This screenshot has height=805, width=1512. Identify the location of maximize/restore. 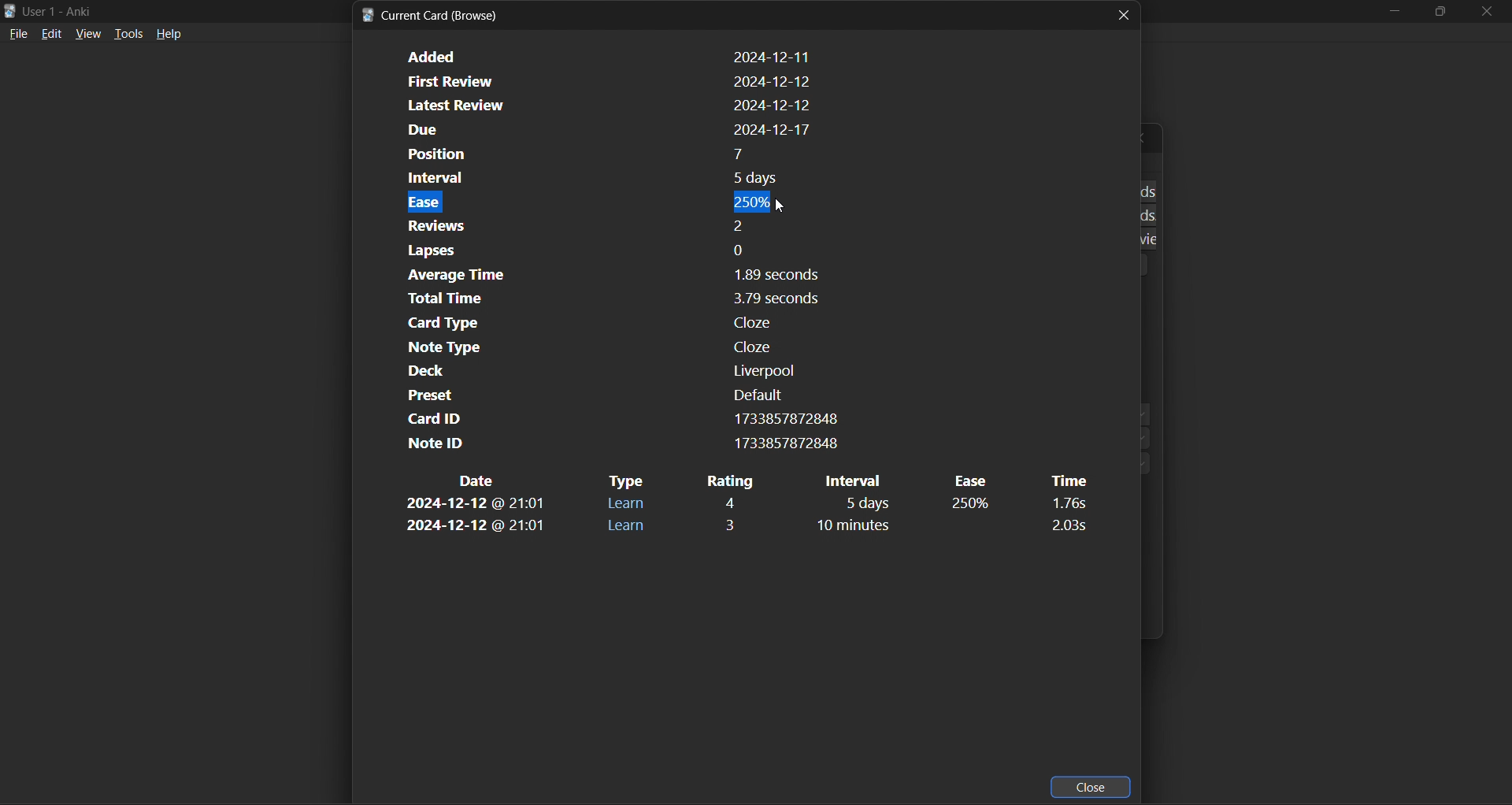
(1438, 10).